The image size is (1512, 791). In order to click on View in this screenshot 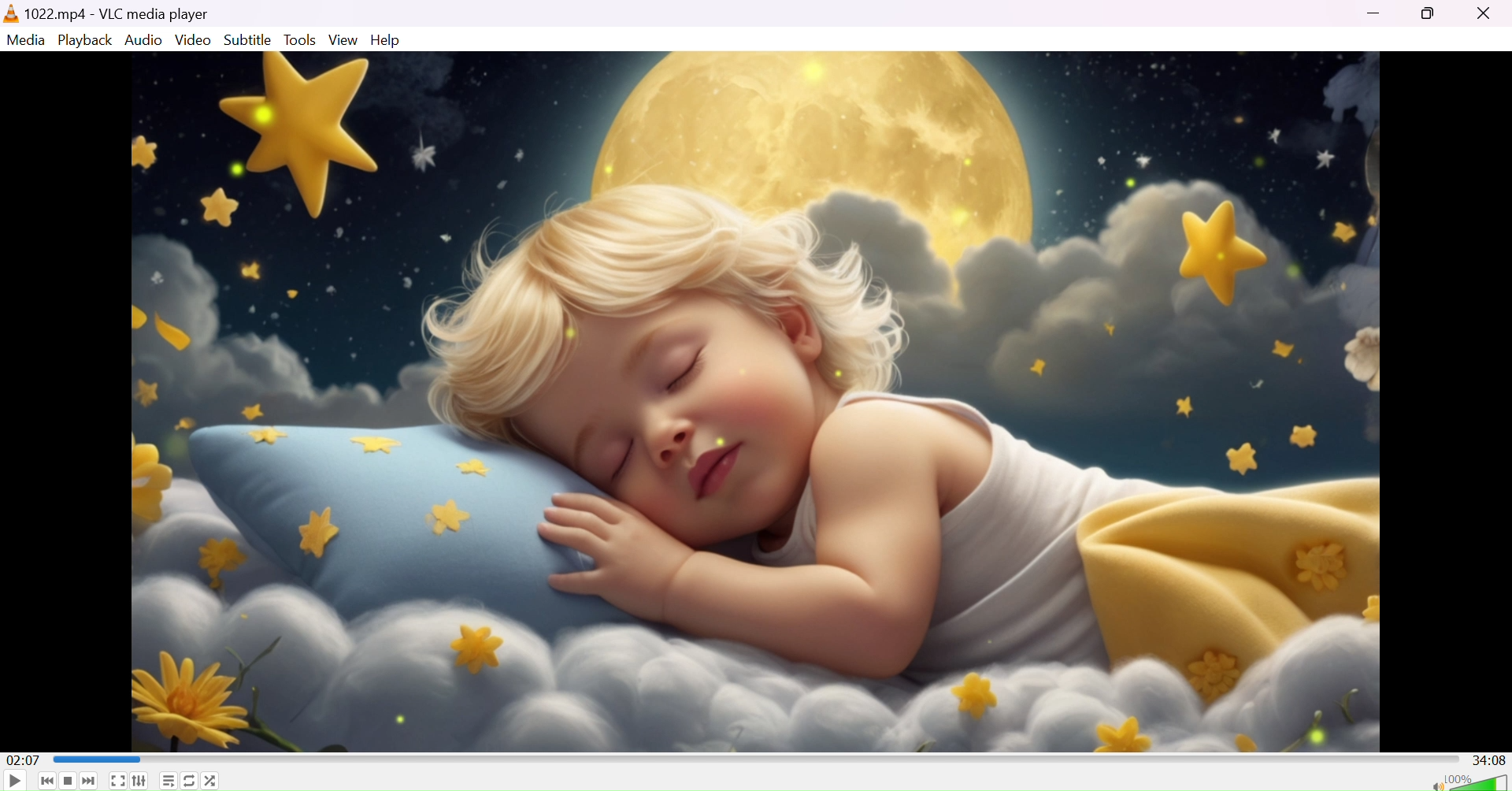, I will do `click(343, 40)`.